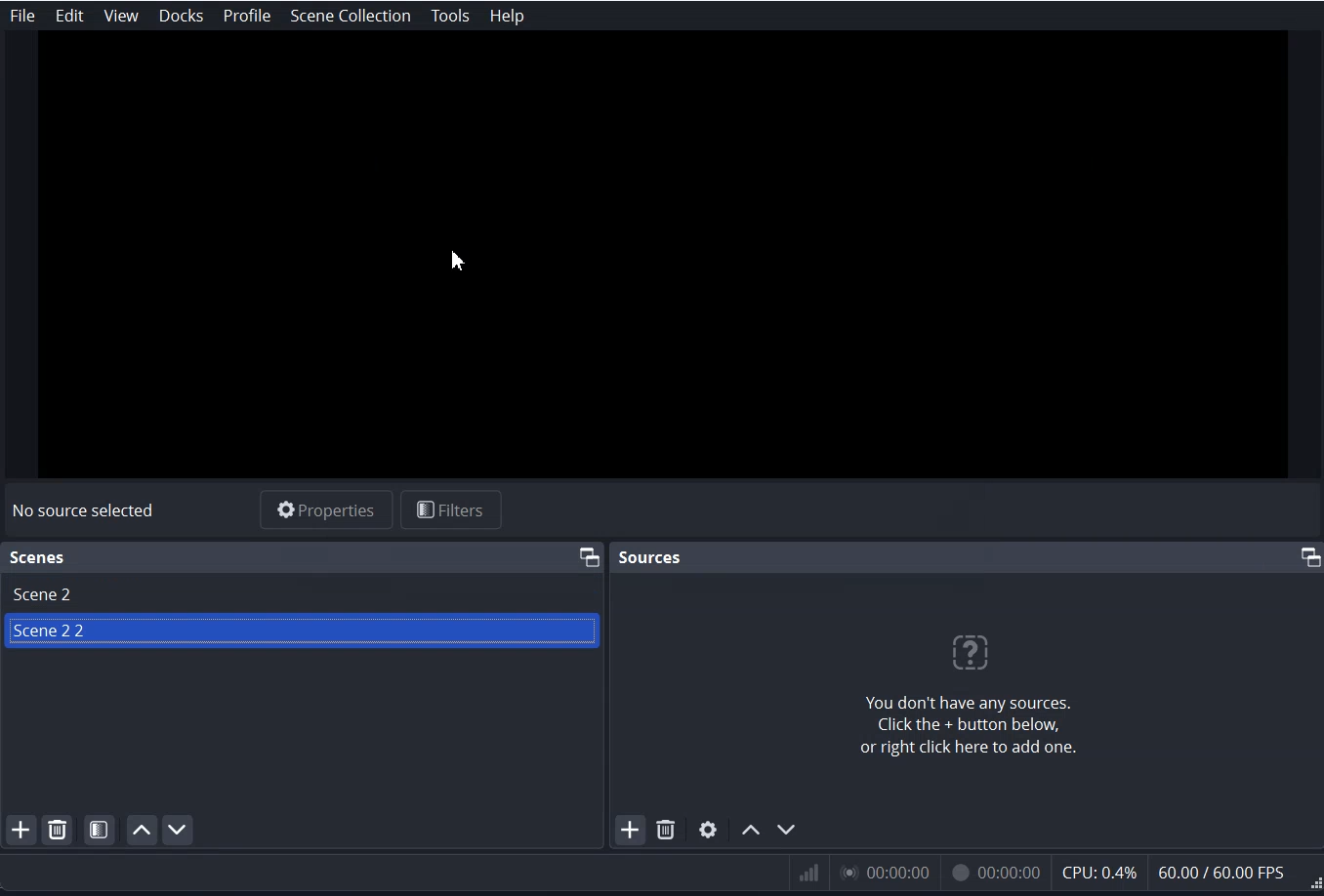 This screenshot has width=1324, height=896. I want to click on Add Scene, so click(19, 831).